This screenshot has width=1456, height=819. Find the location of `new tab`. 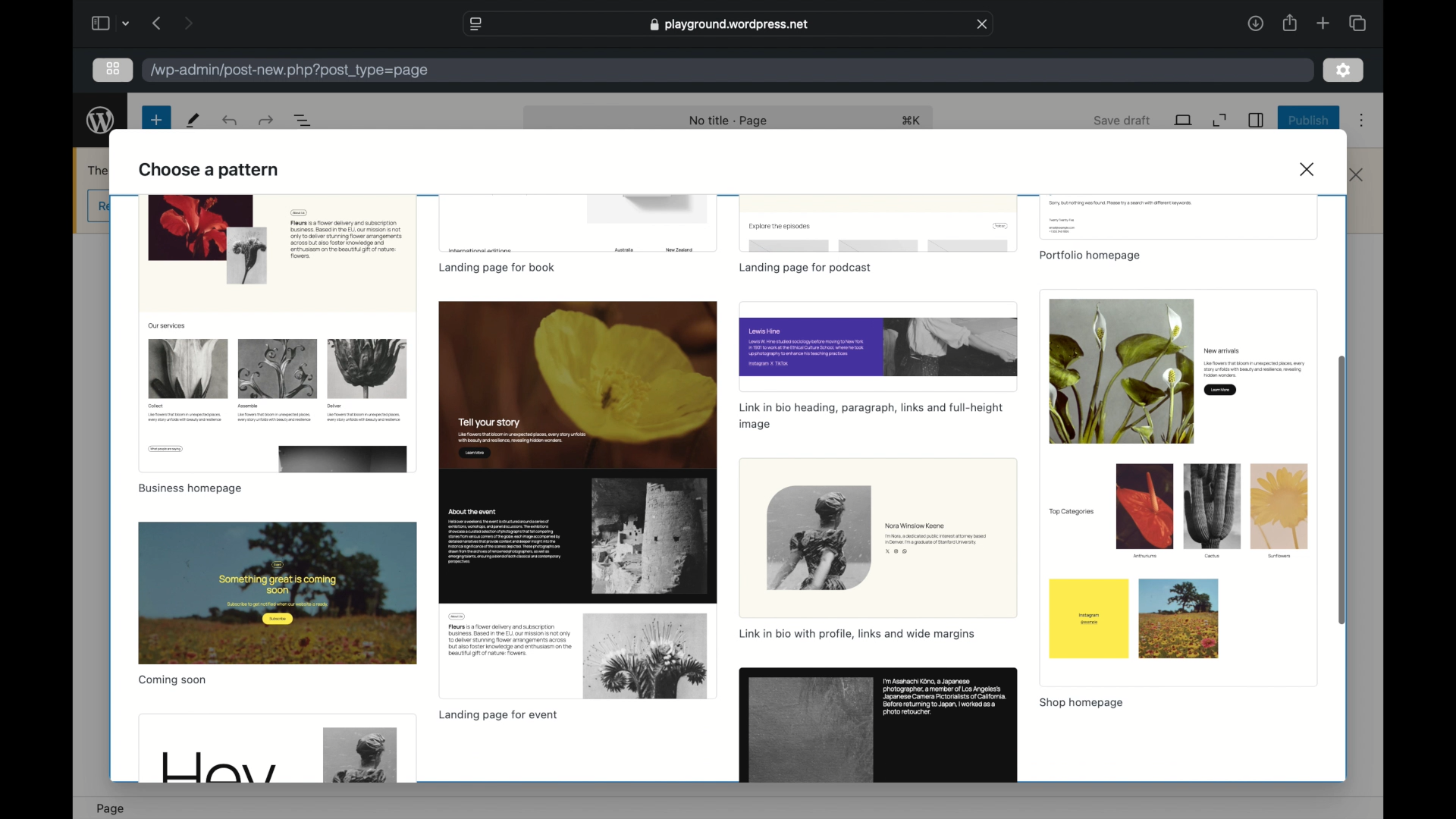

new tab is located at coordinates (1323, 23).